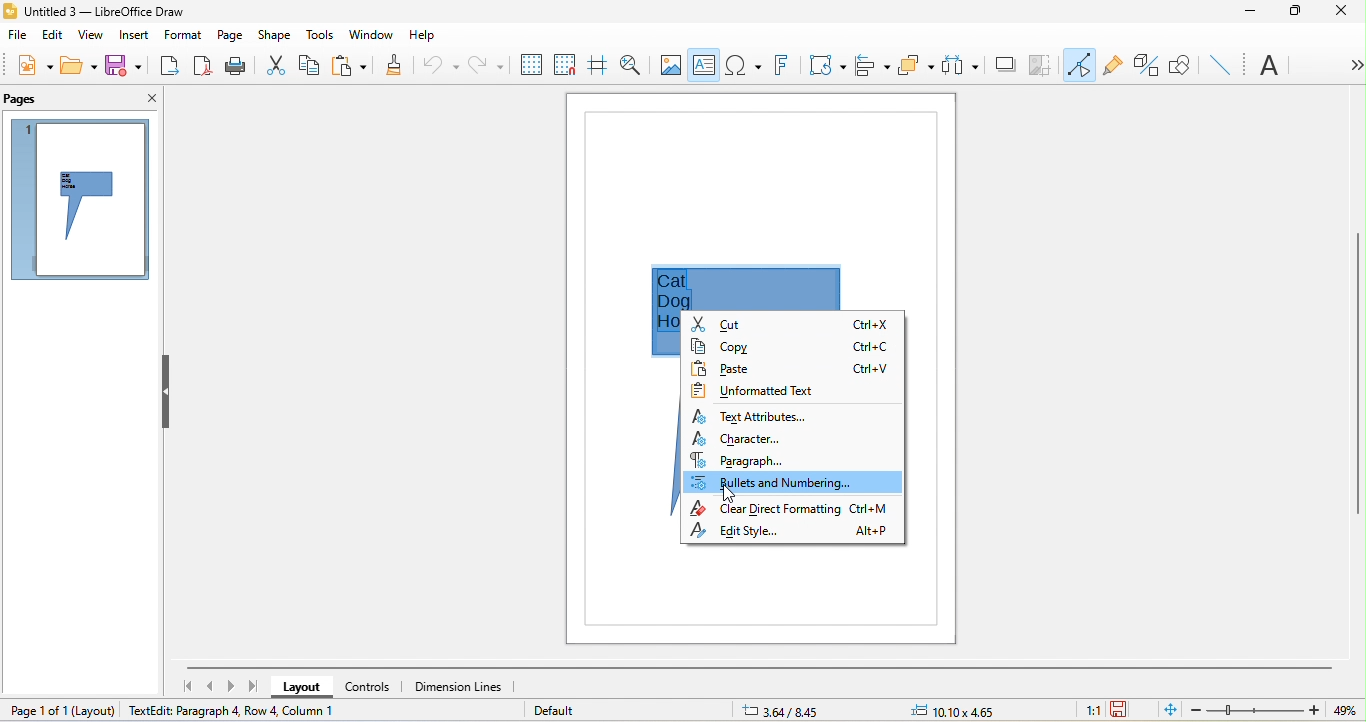  What do you see at coordinates (759, 388) in the screenshot?
I see `unformatted text` at bounding box center [759, 388].